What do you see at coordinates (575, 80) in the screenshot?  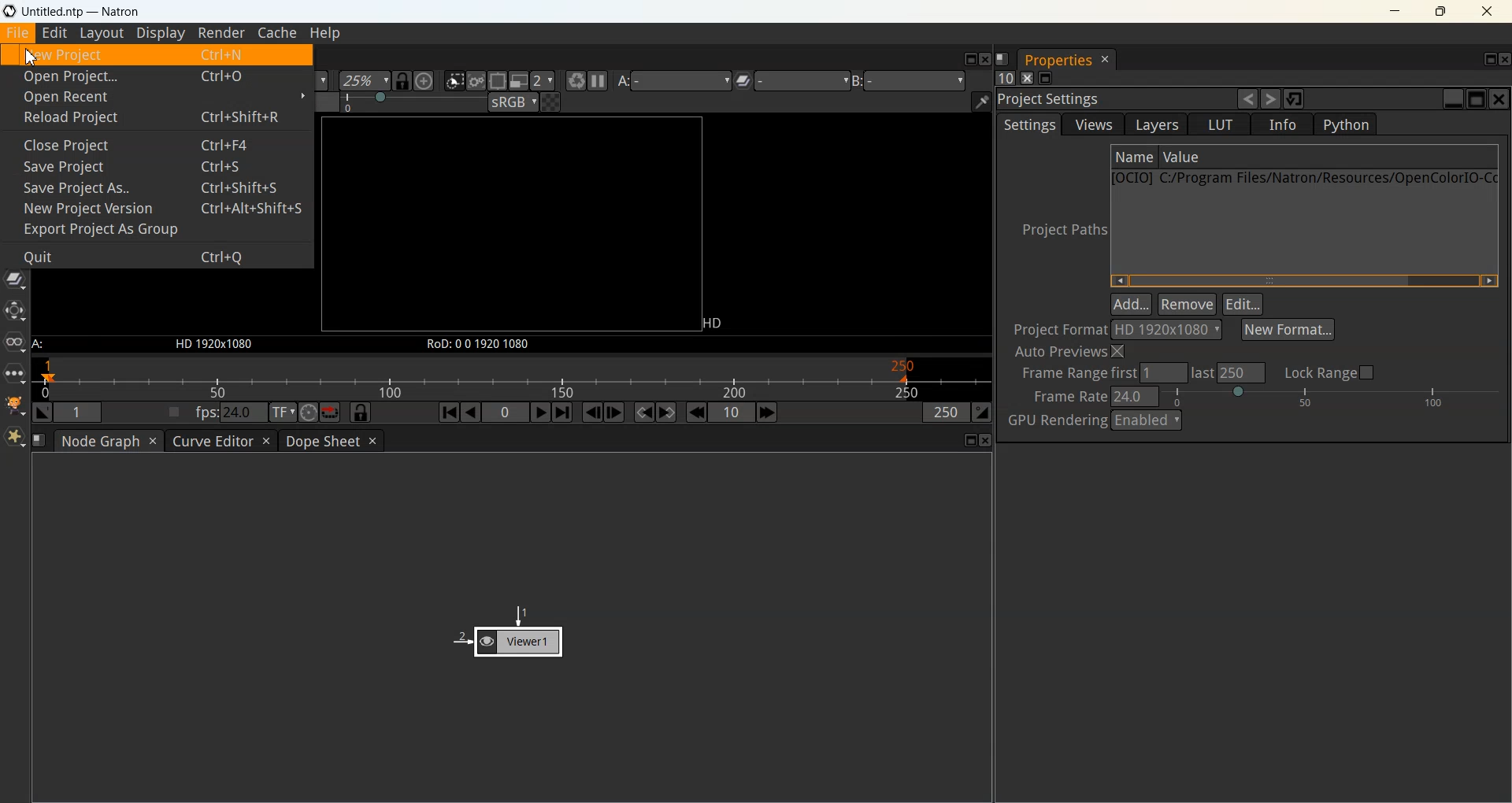 I see `New render` at bounding box center [575, 80].